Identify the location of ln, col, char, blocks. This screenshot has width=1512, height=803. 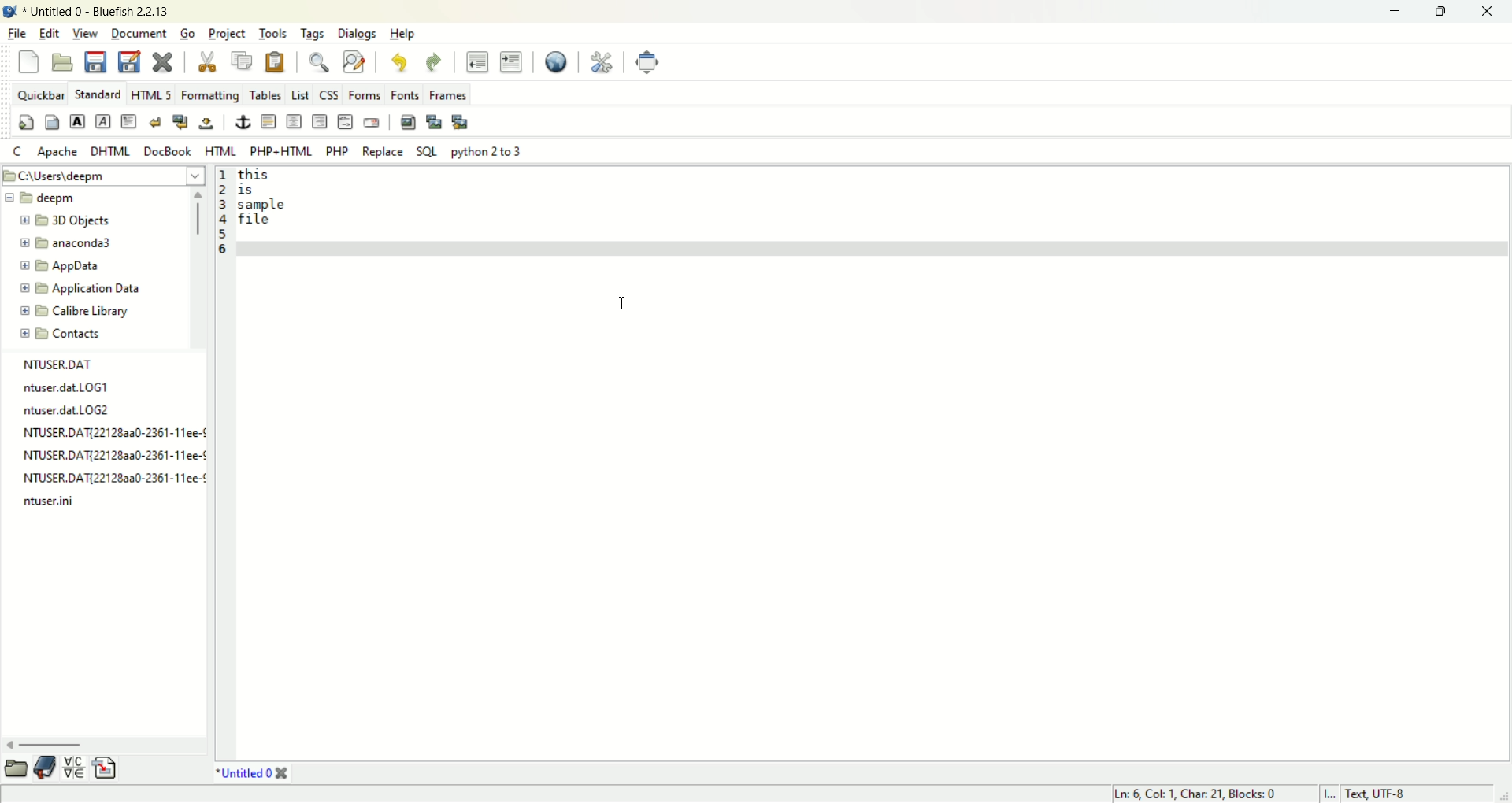
(1203, 794).